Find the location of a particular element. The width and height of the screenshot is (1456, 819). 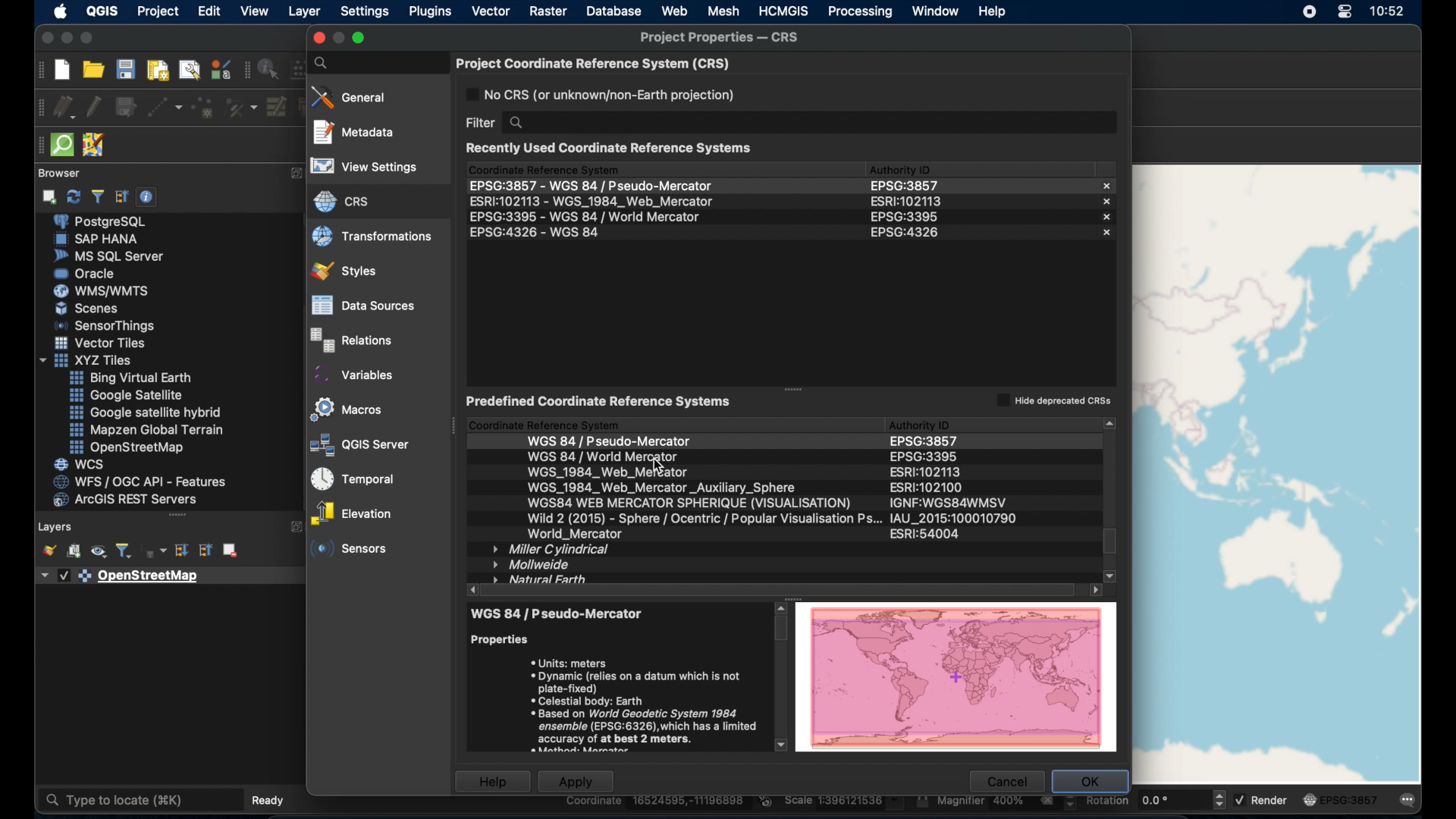

ms sql server is located at coordinates (113, 256).